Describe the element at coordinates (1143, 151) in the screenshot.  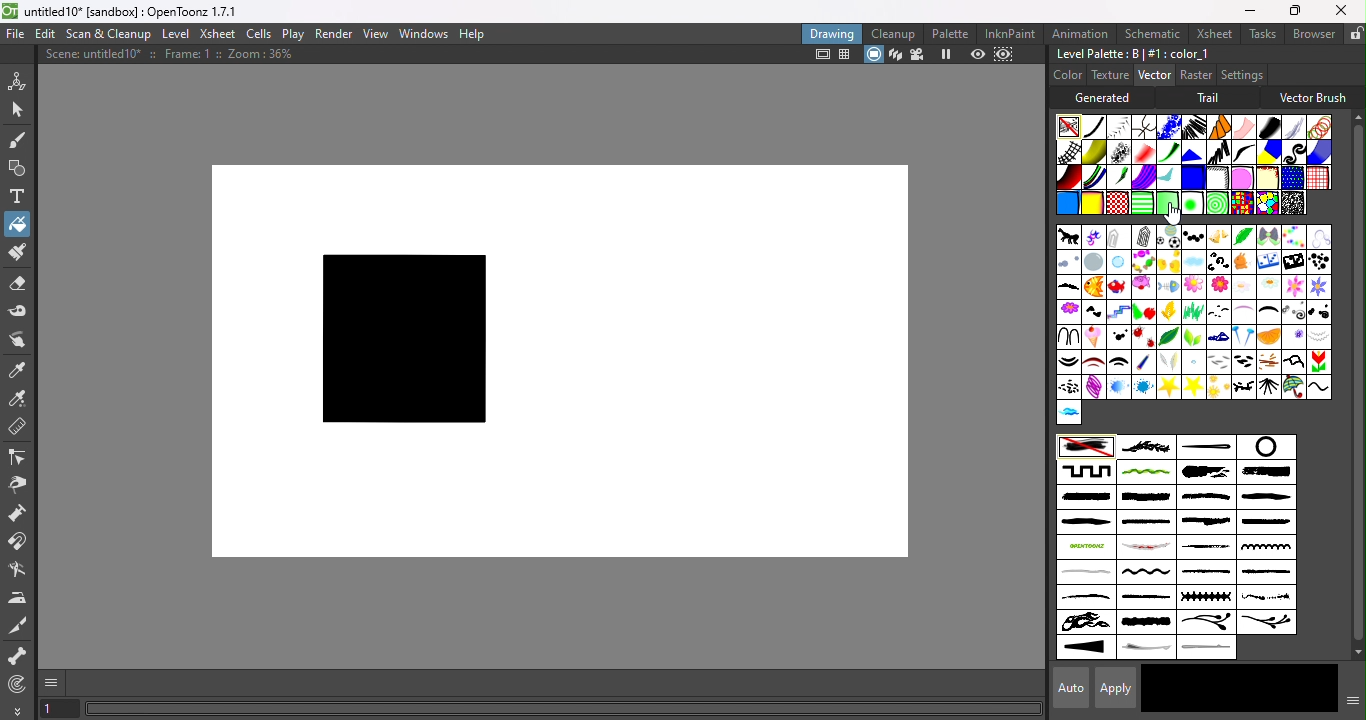
I see `Fade` at that location.